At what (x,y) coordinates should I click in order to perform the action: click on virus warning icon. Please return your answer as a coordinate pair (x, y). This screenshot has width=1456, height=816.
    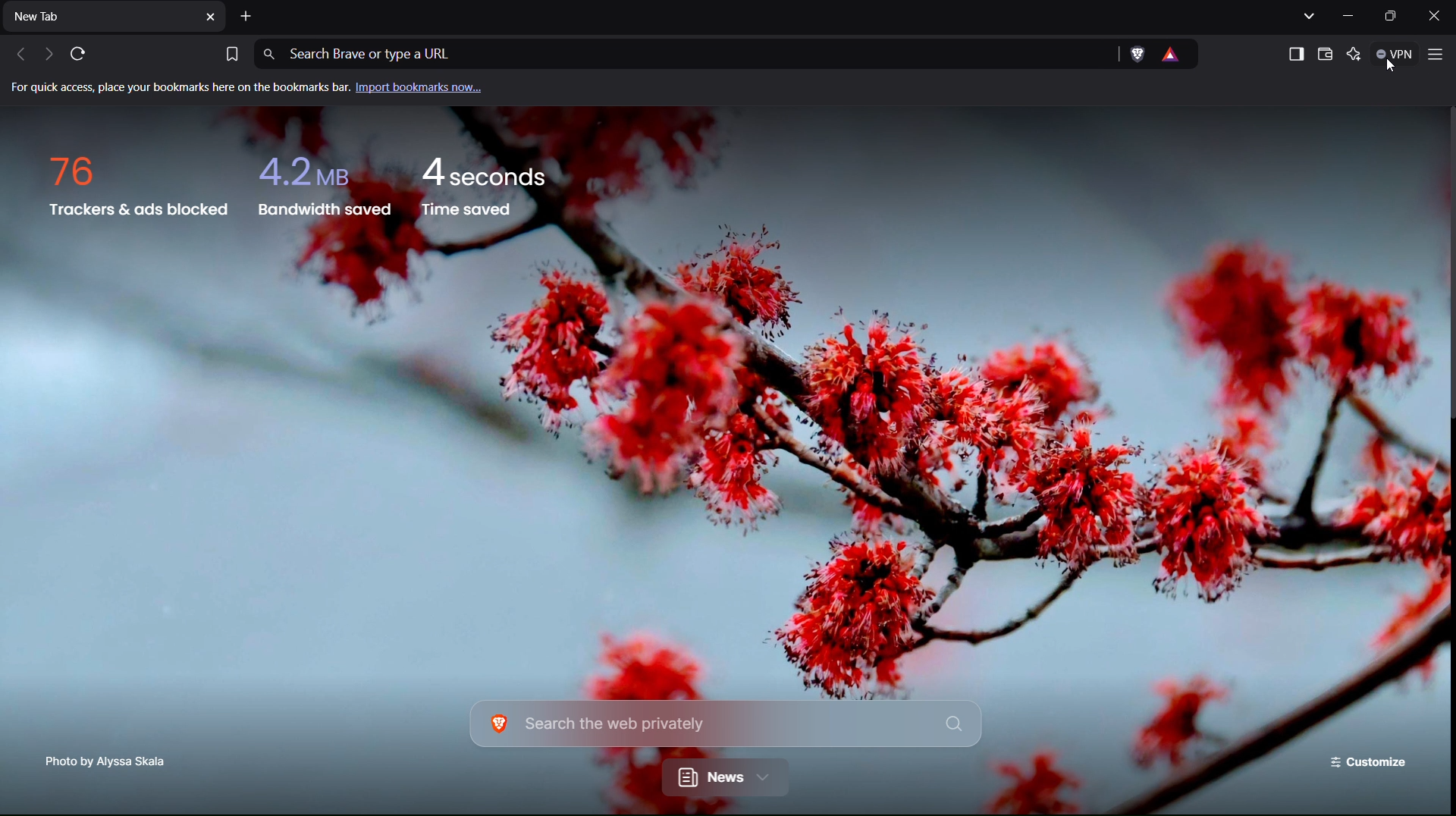
    Looking at the image, I should click on (1175, 56).